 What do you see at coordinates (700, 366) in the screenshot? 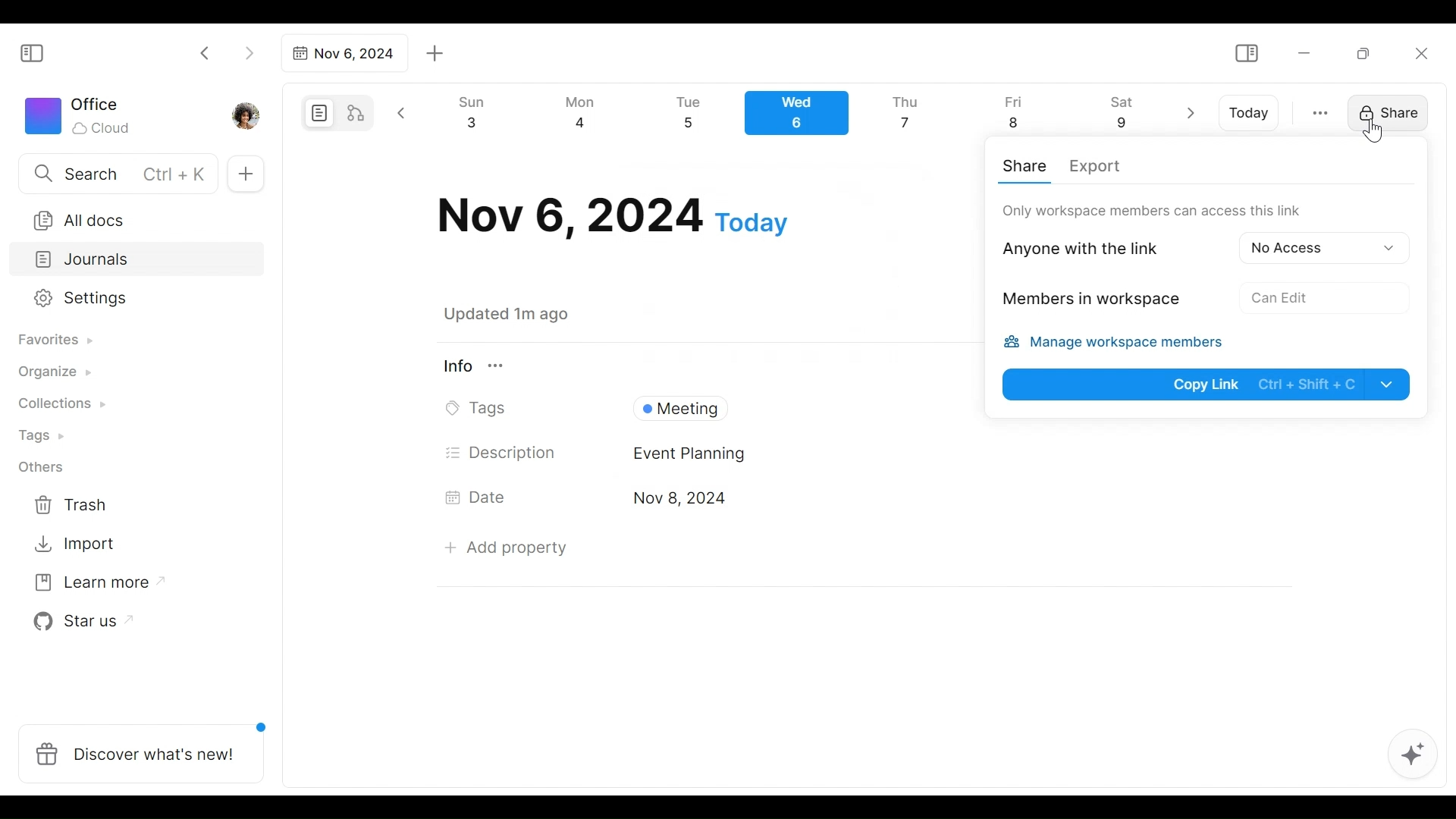
I see `View Information` at bounding box center [700, 366].